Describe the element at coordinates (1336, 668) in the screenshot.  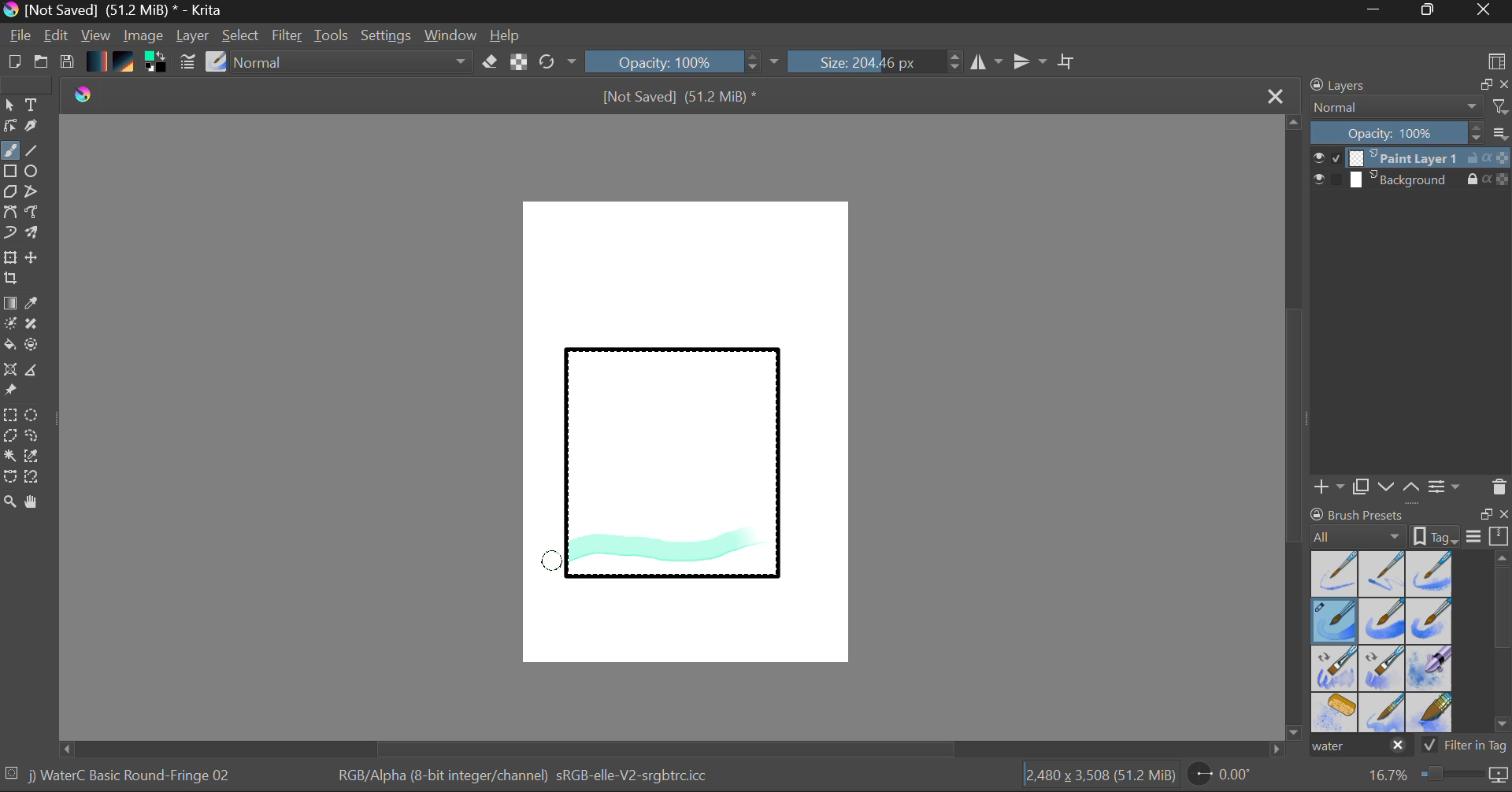
I see `Water C - Grain Tilt` at that location.